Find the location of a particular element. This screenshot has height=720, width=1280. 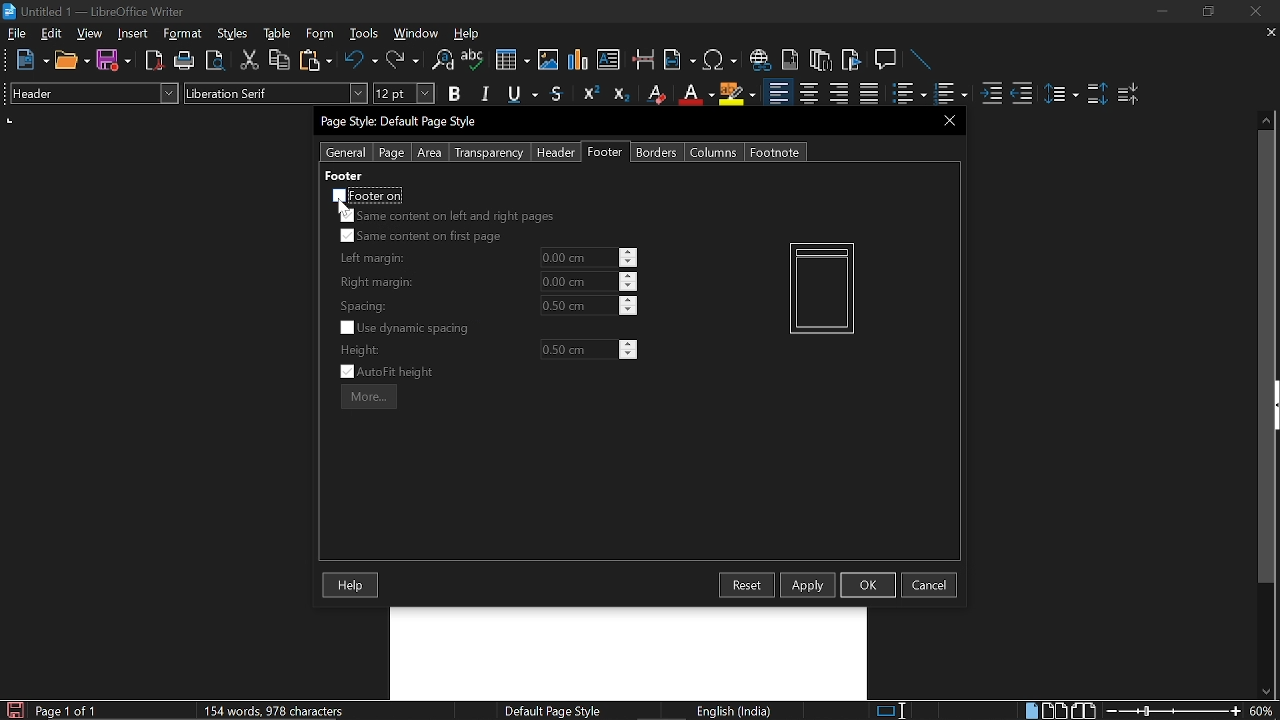

Align left is located at coordinates (778, 94).